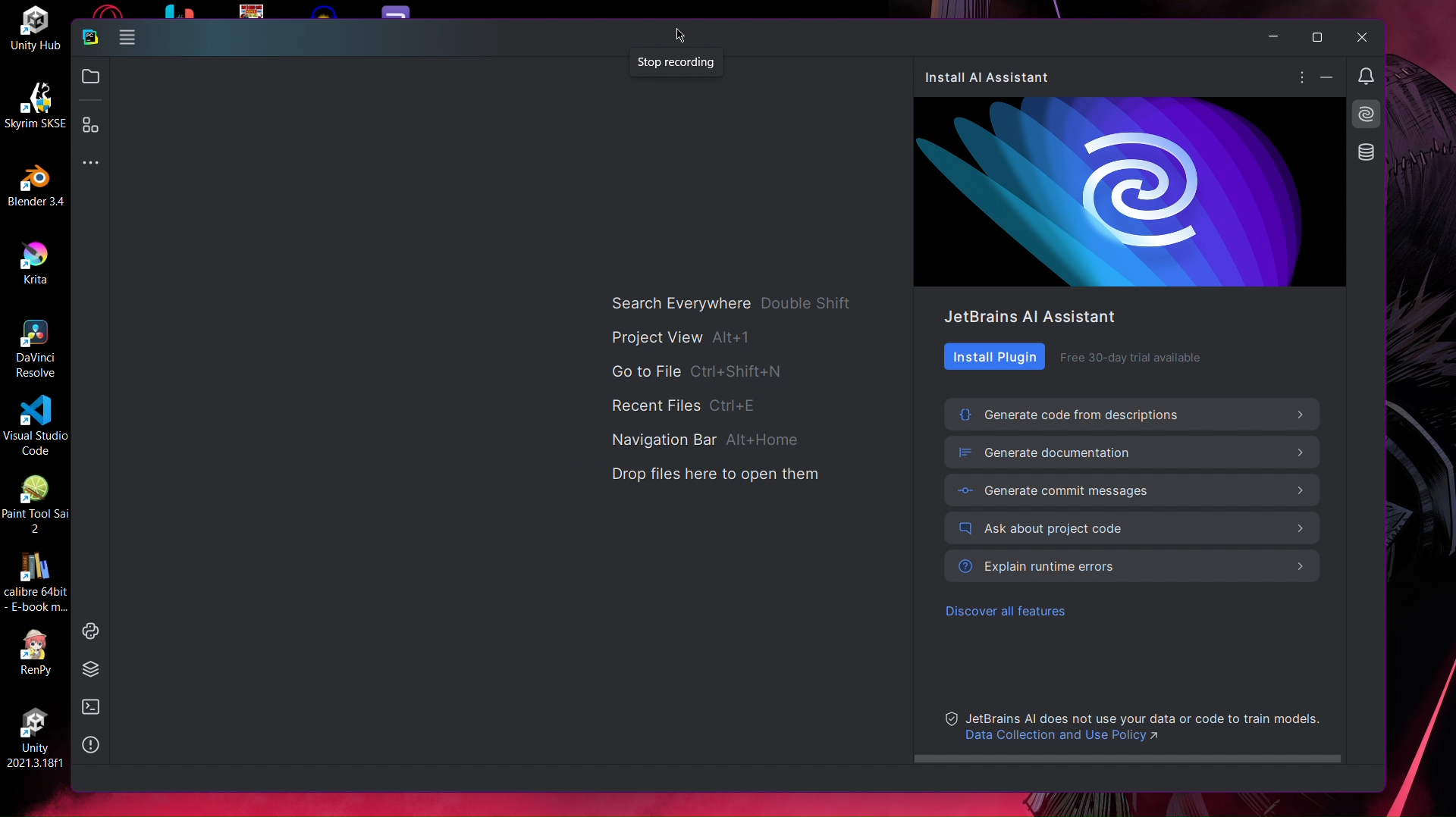 The height and width of the screenshot is (817, 1456). What do you see at coordinates (1031, 316) in the screenshot?
I see `JetBrains AI Assisstant` at bounding box center [1031, 316].